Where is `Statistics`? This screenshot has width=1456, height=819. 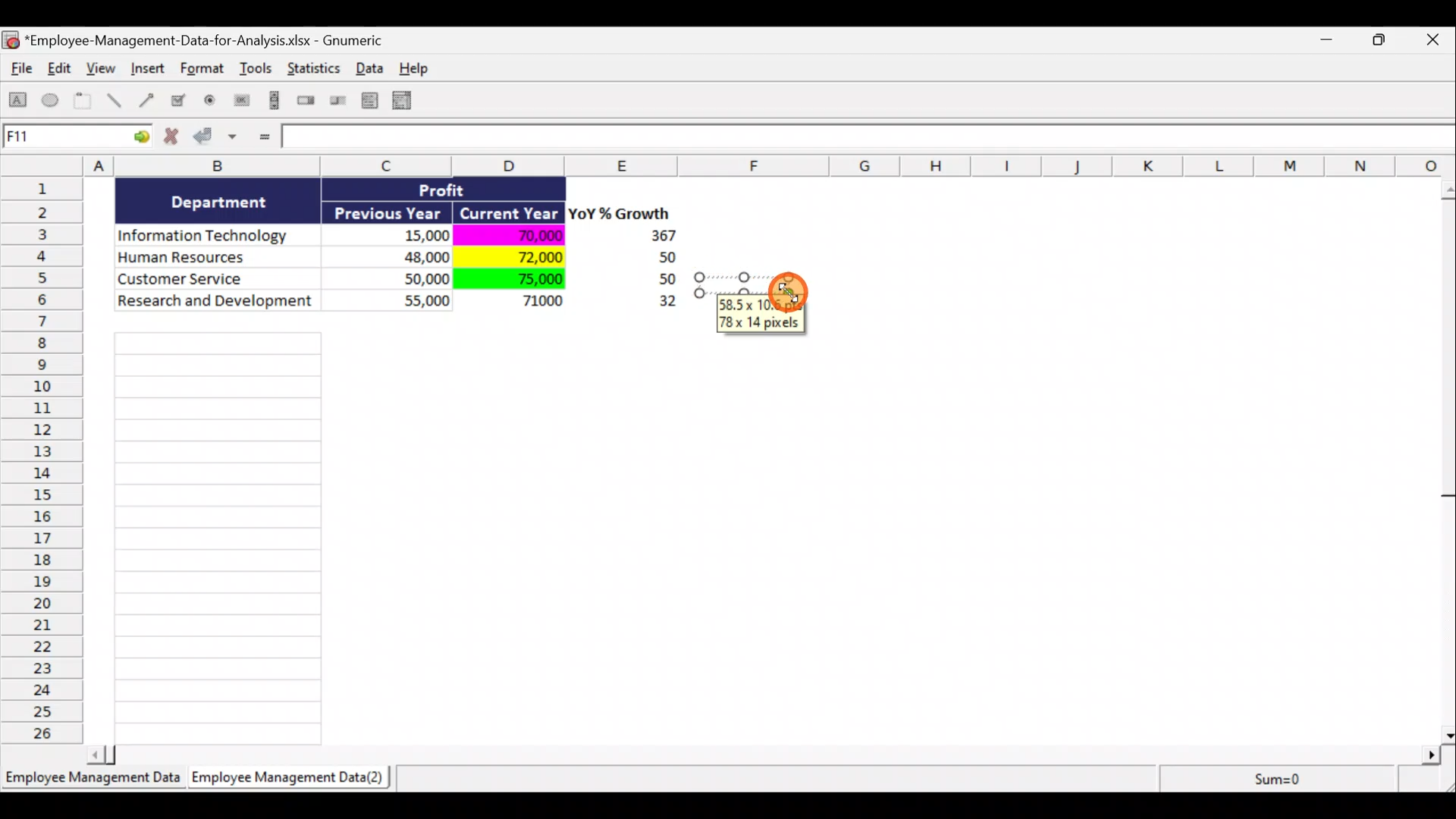
Statistics is located at coordinates (315, 73).